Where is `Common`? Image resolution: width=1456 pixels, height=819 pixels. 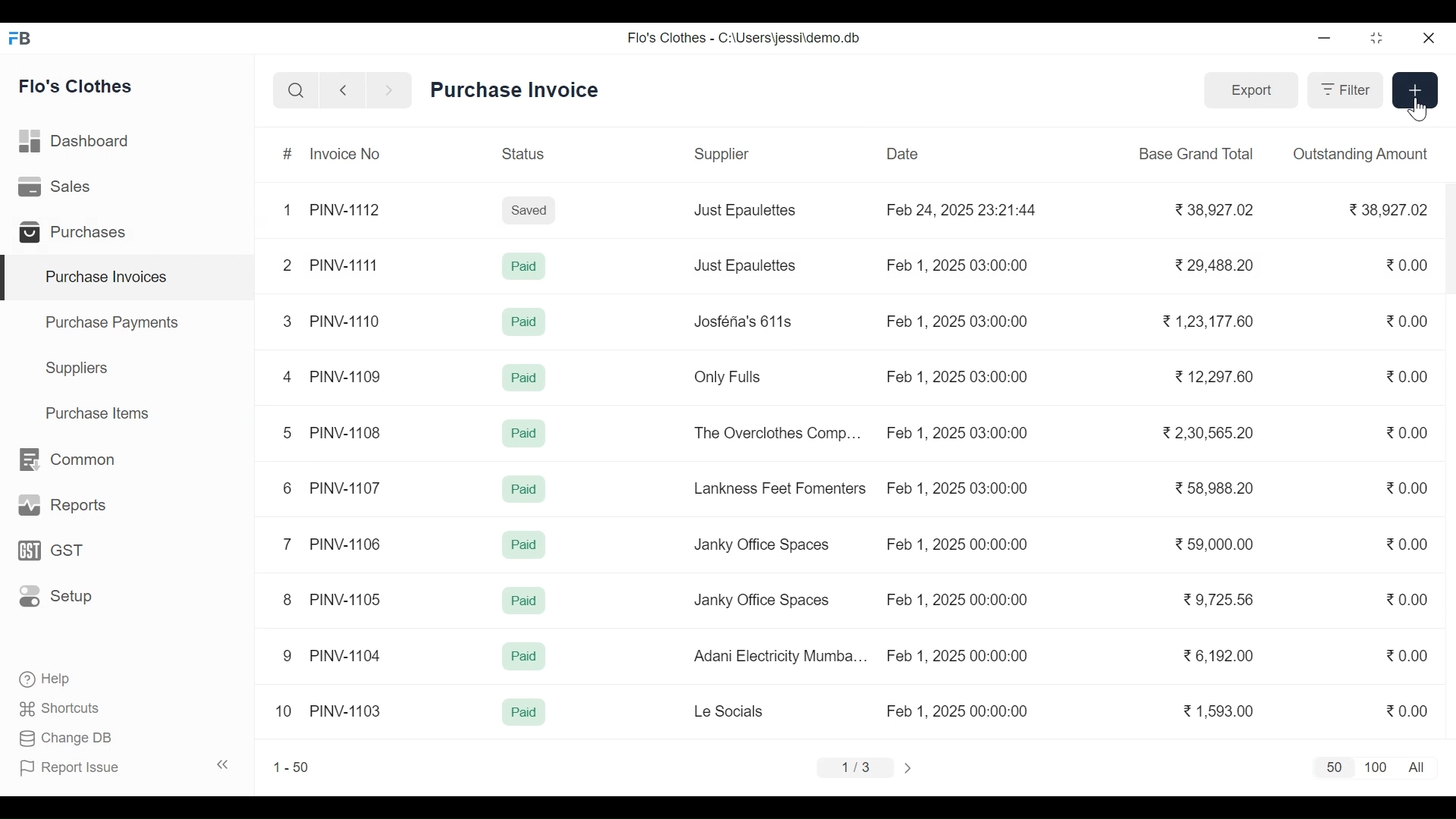
Common is located at coordinates (70, 459).